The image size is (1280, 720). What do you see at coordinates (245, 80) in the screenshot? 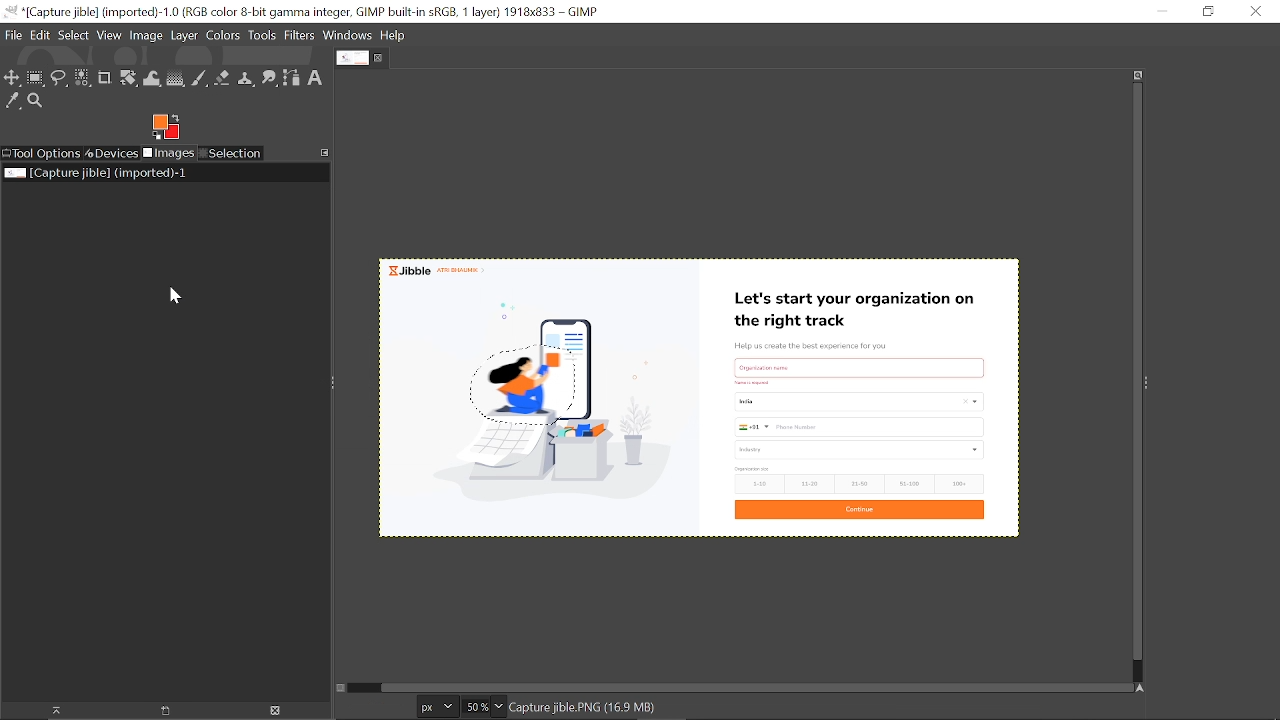
I see `Clone tool` at bounding box center [245, 80].